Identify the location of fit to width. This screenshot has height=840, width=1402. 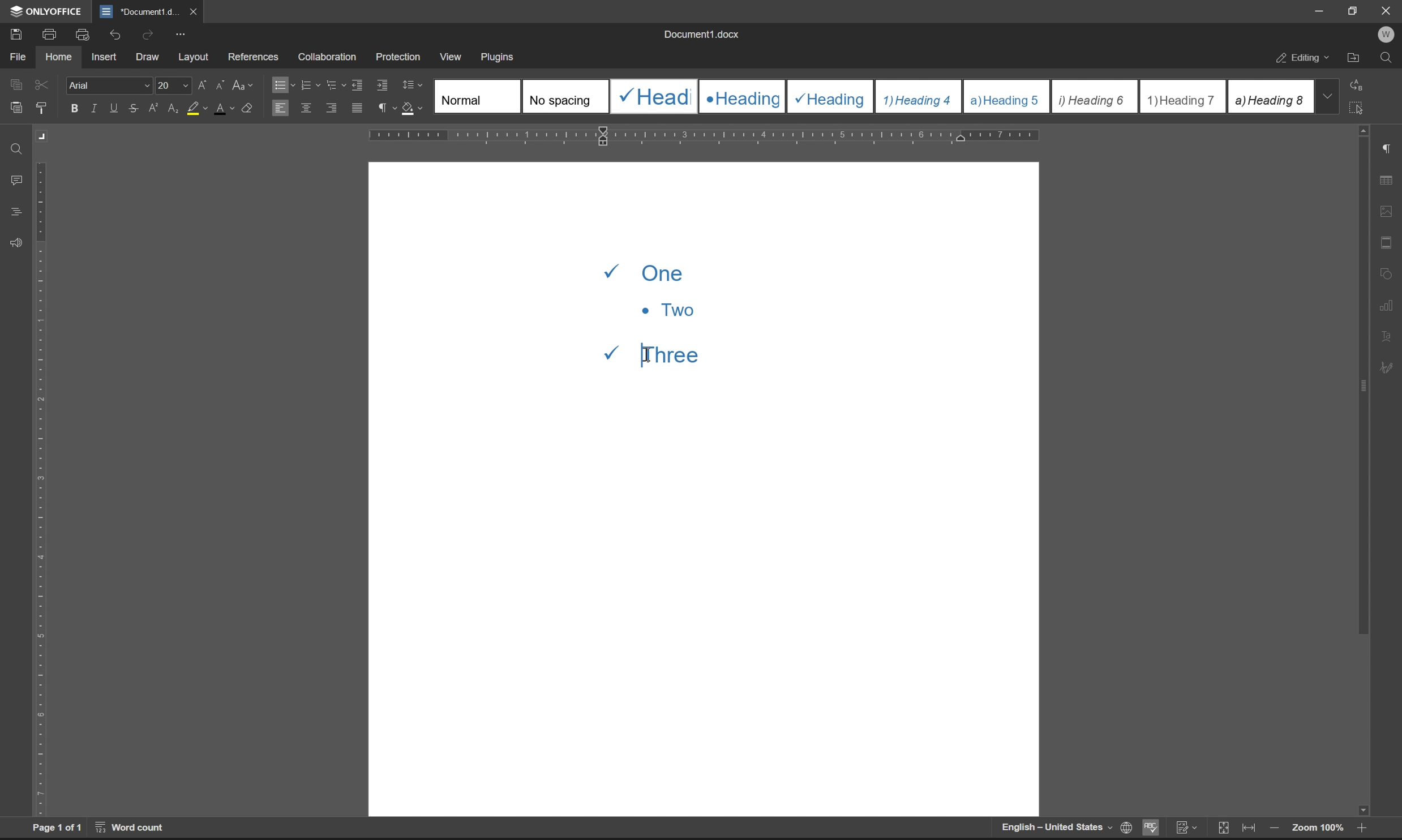
(1249, 828).